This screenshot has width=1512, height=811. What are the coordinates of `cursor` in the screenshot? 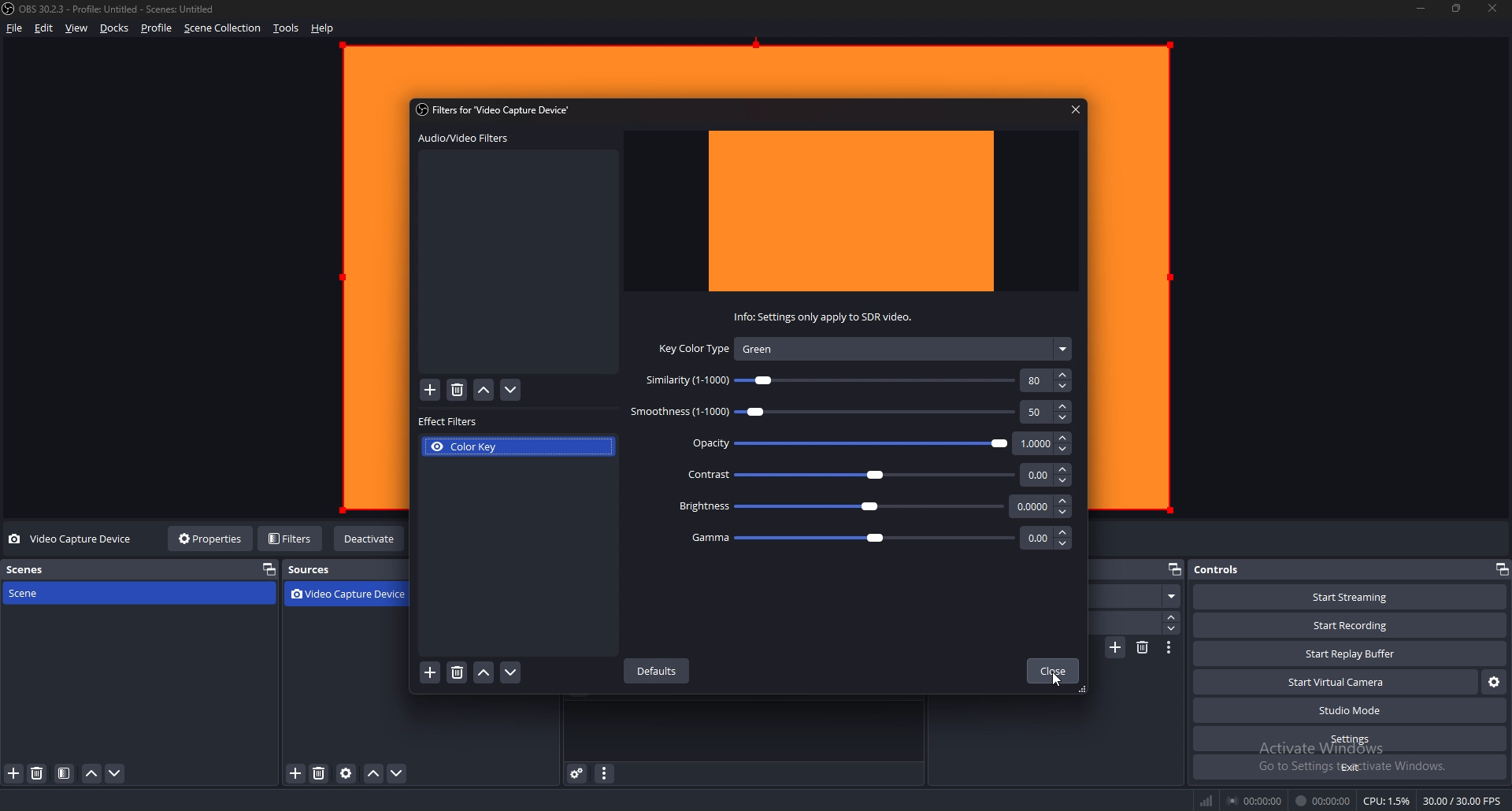 It's located at (1054, 680).